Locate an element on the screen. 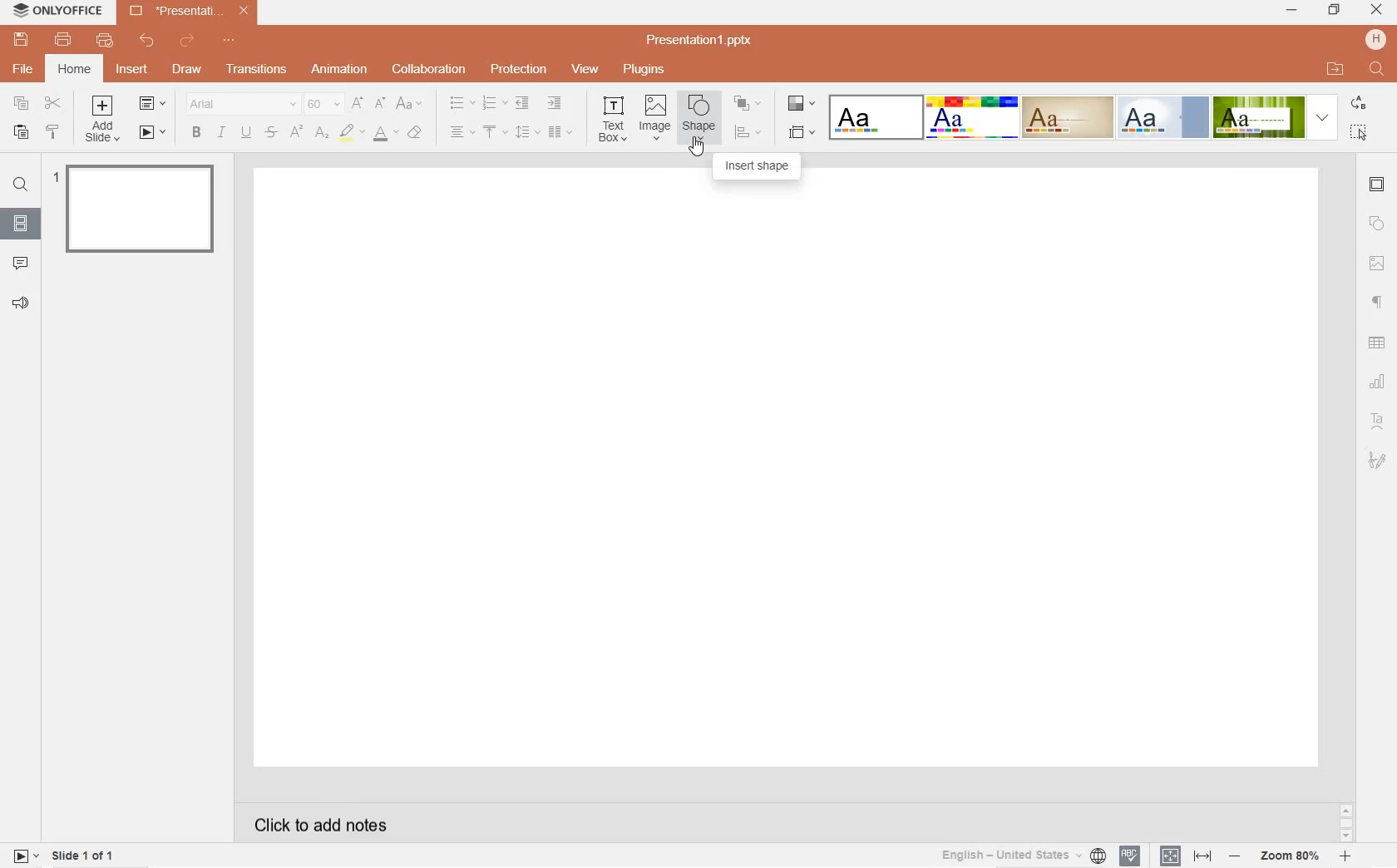 The height and width of the screenshot is (868, 1397). comments is located at coordinates (22, 262).